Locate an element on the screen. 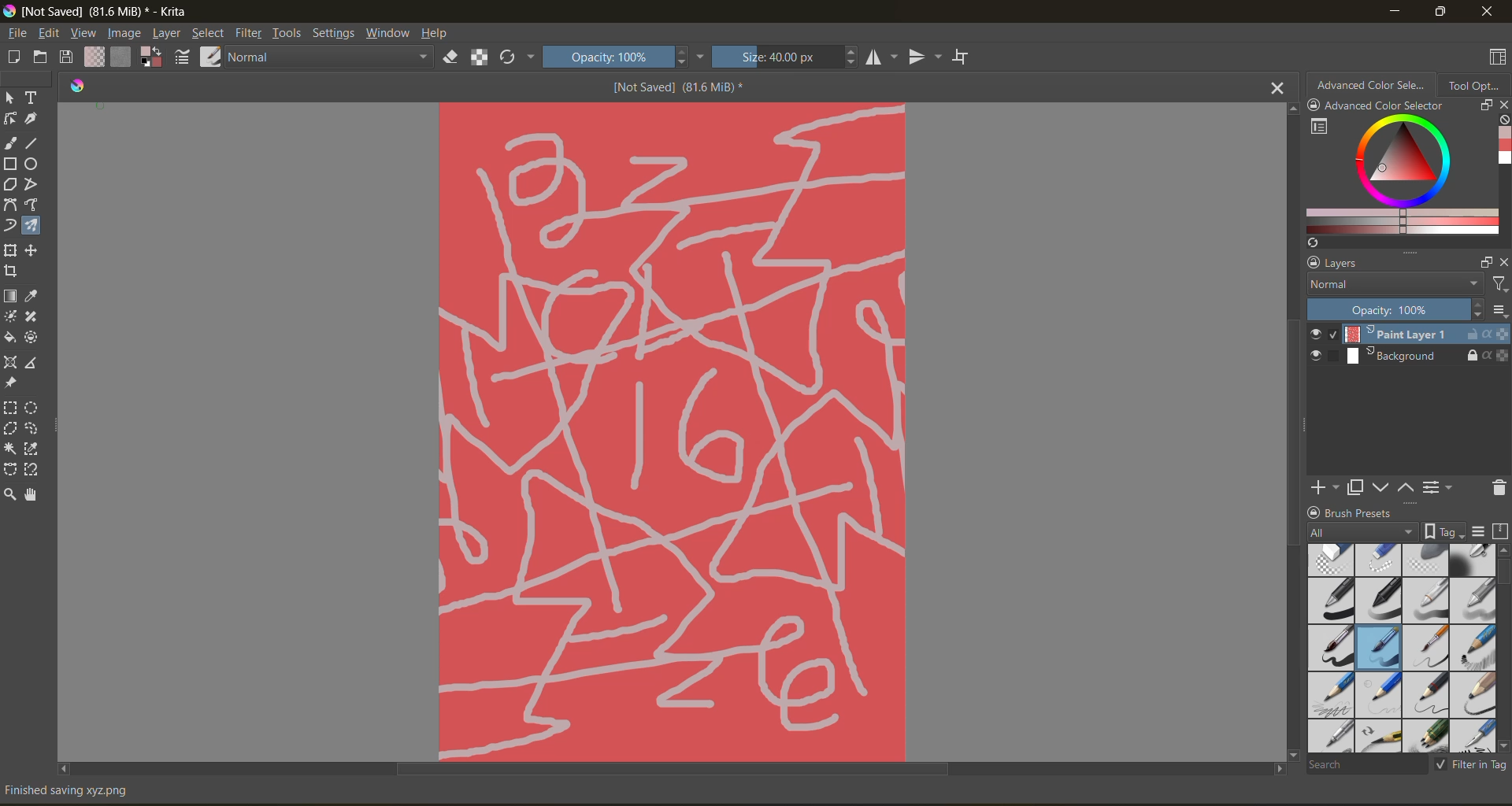 The image size is (1512, 806). Software logo is located at coordinates (77, 84).